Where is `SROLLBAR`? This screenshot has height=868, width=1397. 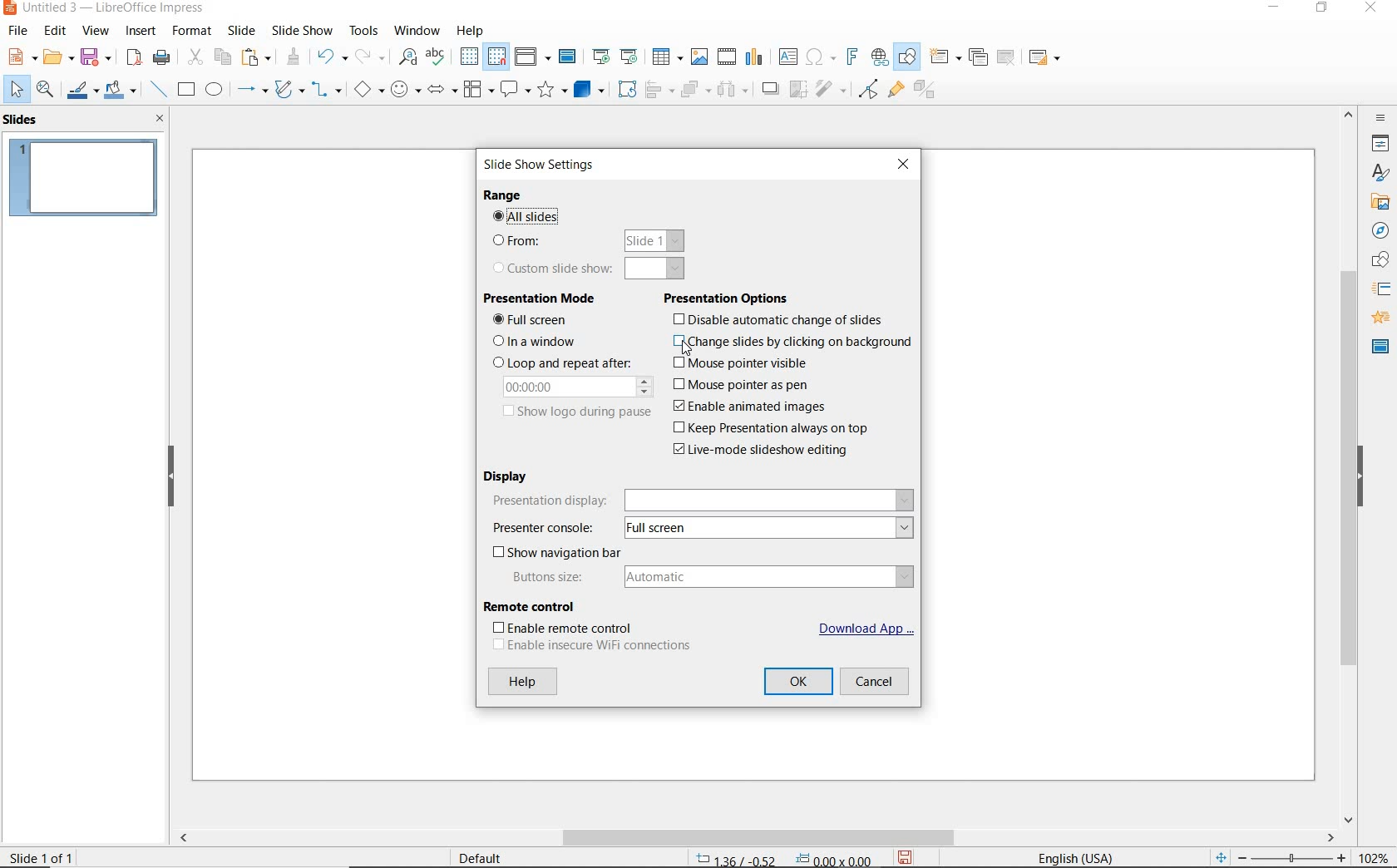
SROLLBAR is located at coordinates (1349, 468).